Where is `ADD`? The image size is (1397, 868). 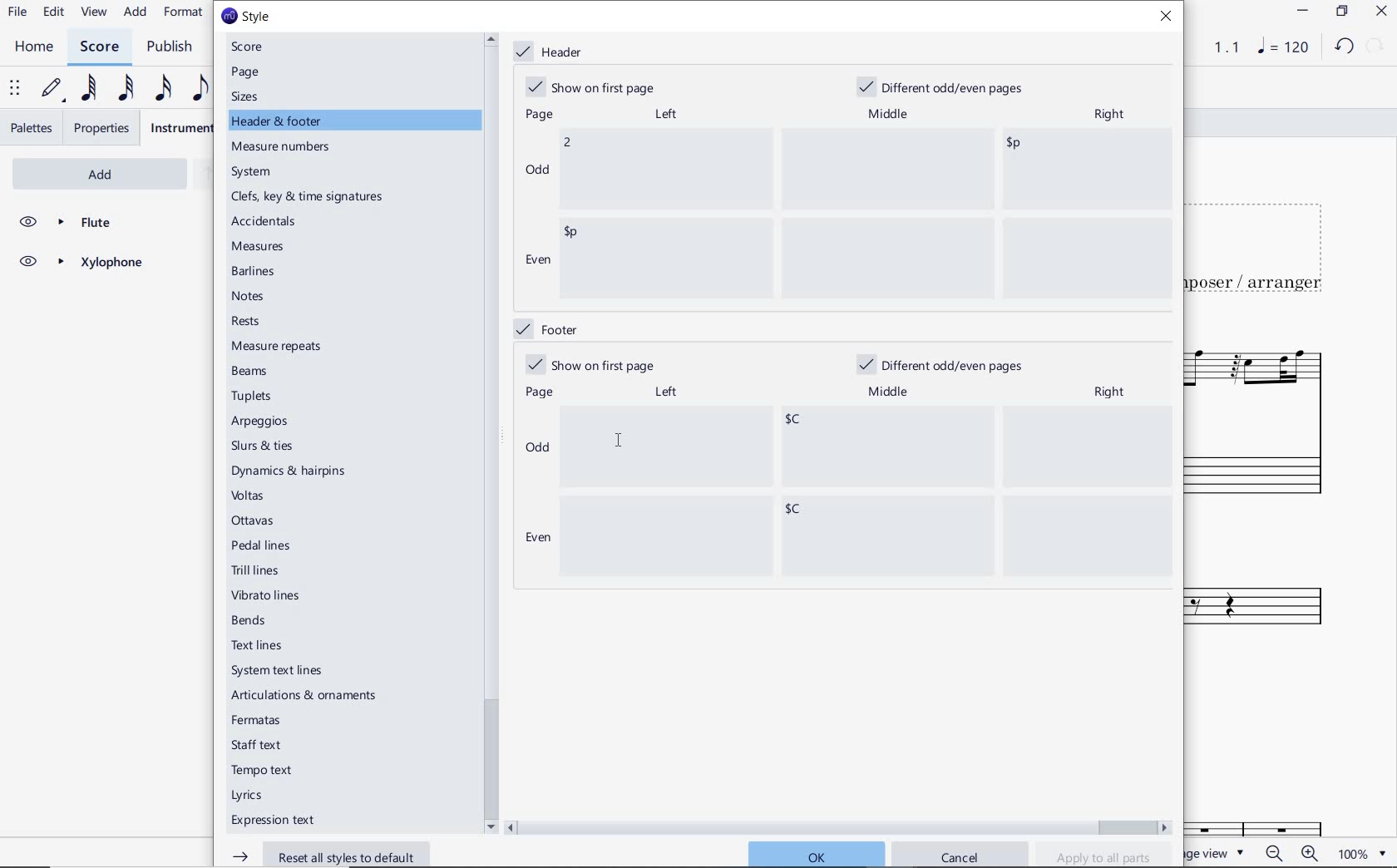 ADD is located at coordinates (78, 172).